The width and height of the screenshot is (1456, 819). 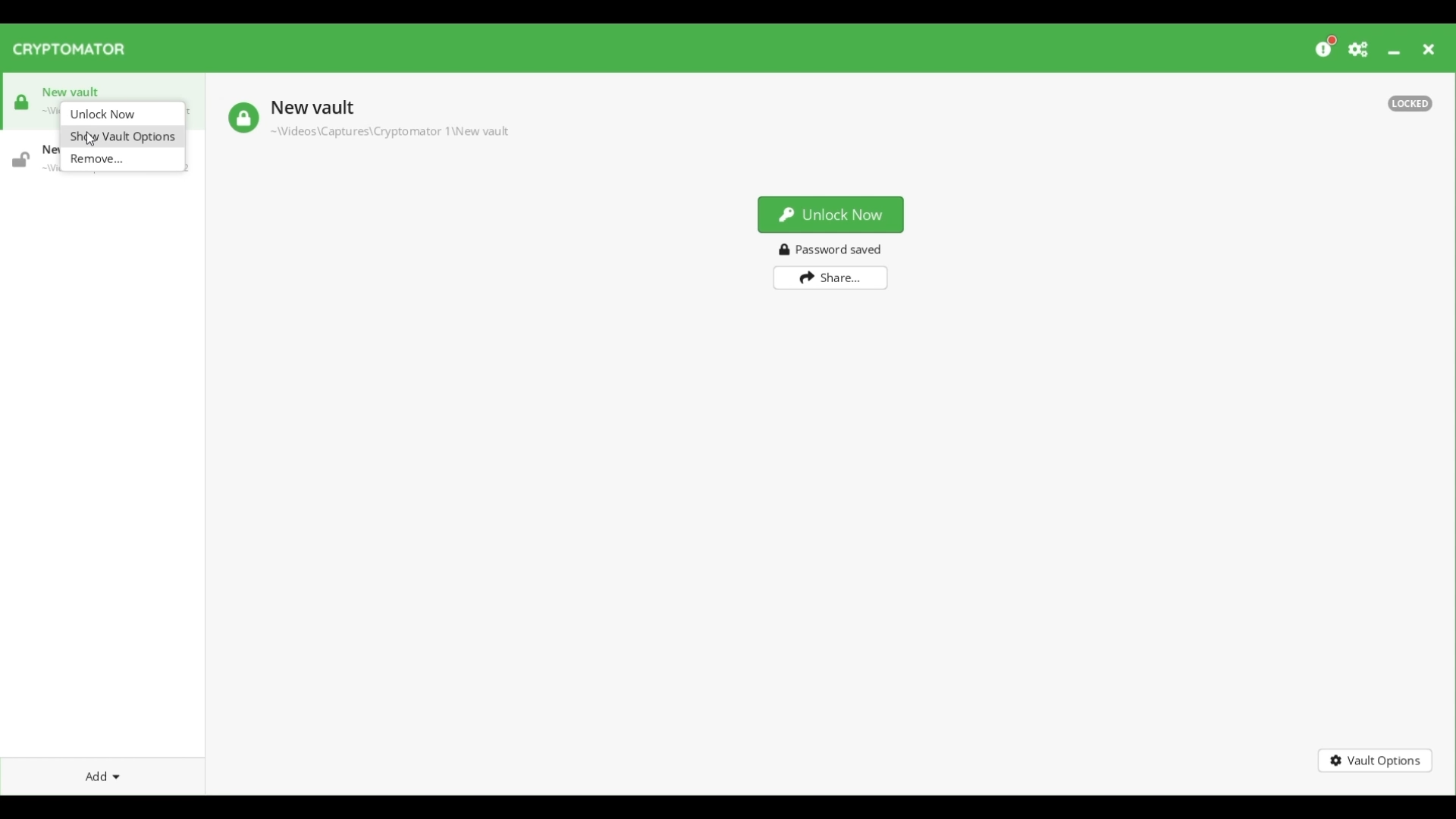 I want to click on Remove selected vault, so click(x=123, y=159).